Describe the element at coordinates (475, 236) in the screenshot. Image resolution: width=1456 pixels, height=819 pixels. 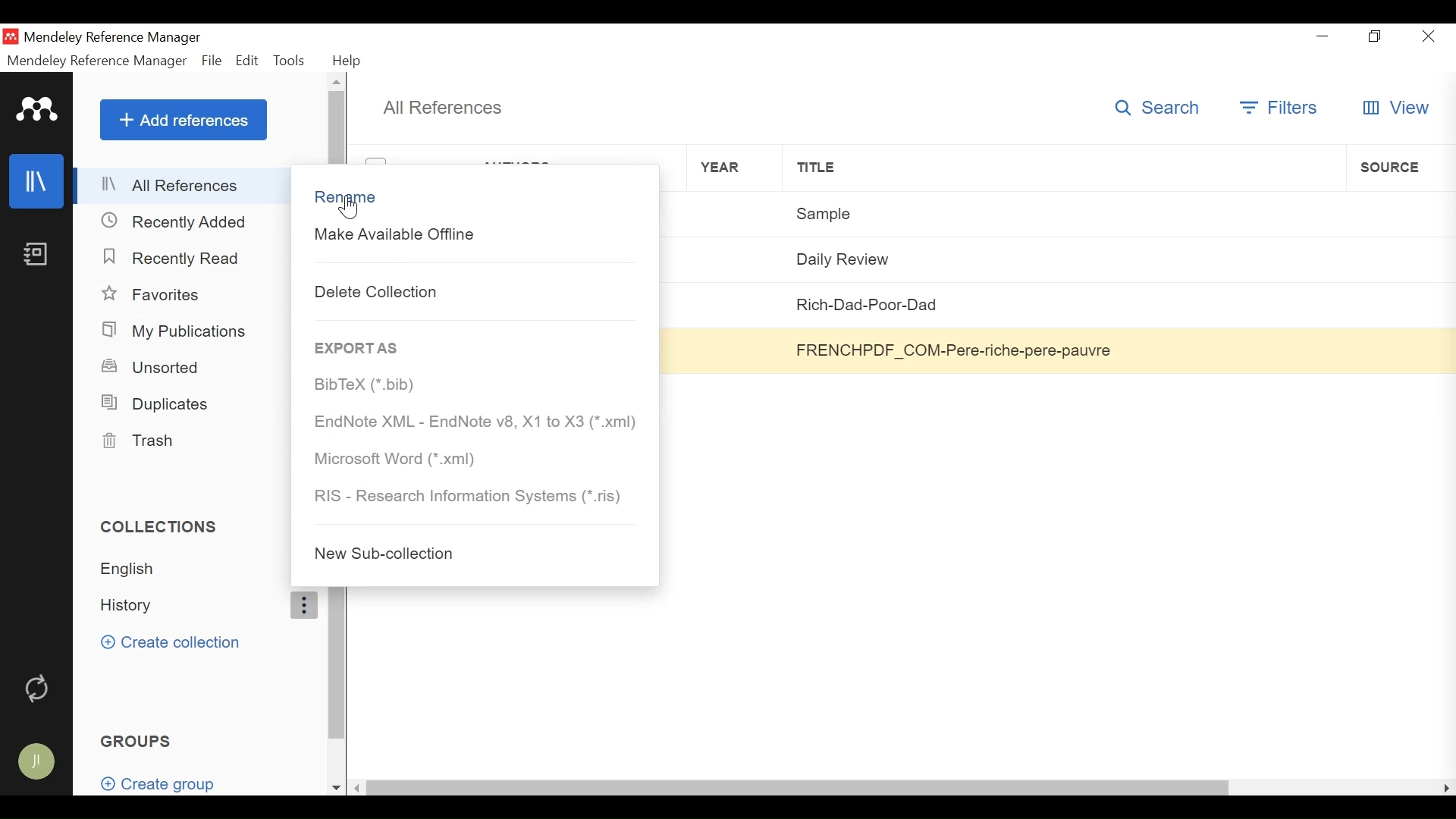
I see `Make Available Offline` at that location.